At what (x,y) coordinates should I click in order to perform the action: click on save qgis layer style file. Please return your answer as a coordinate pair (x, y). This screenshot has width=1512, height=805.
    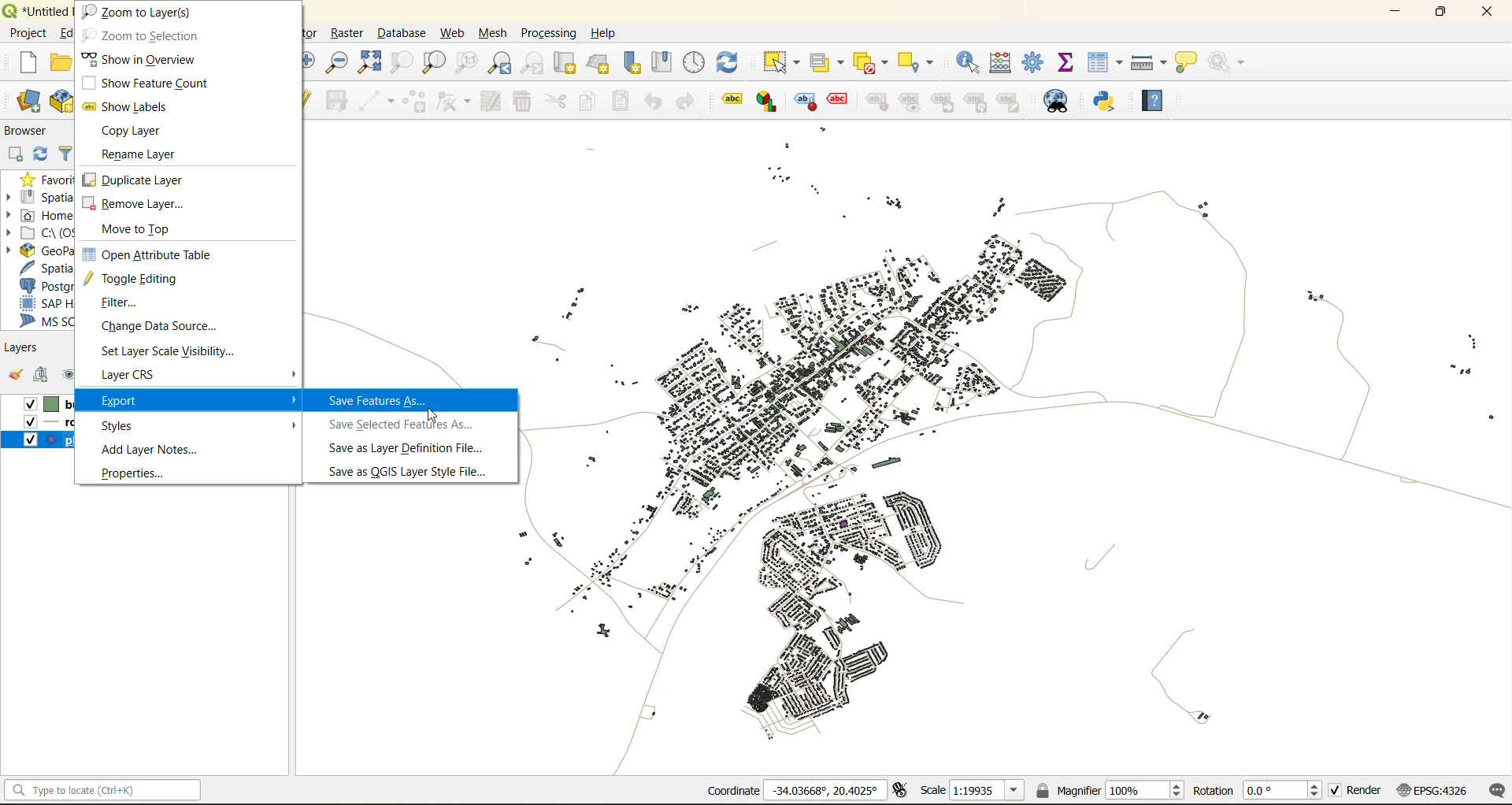
    Looking at the image, I should click on (413, 471).